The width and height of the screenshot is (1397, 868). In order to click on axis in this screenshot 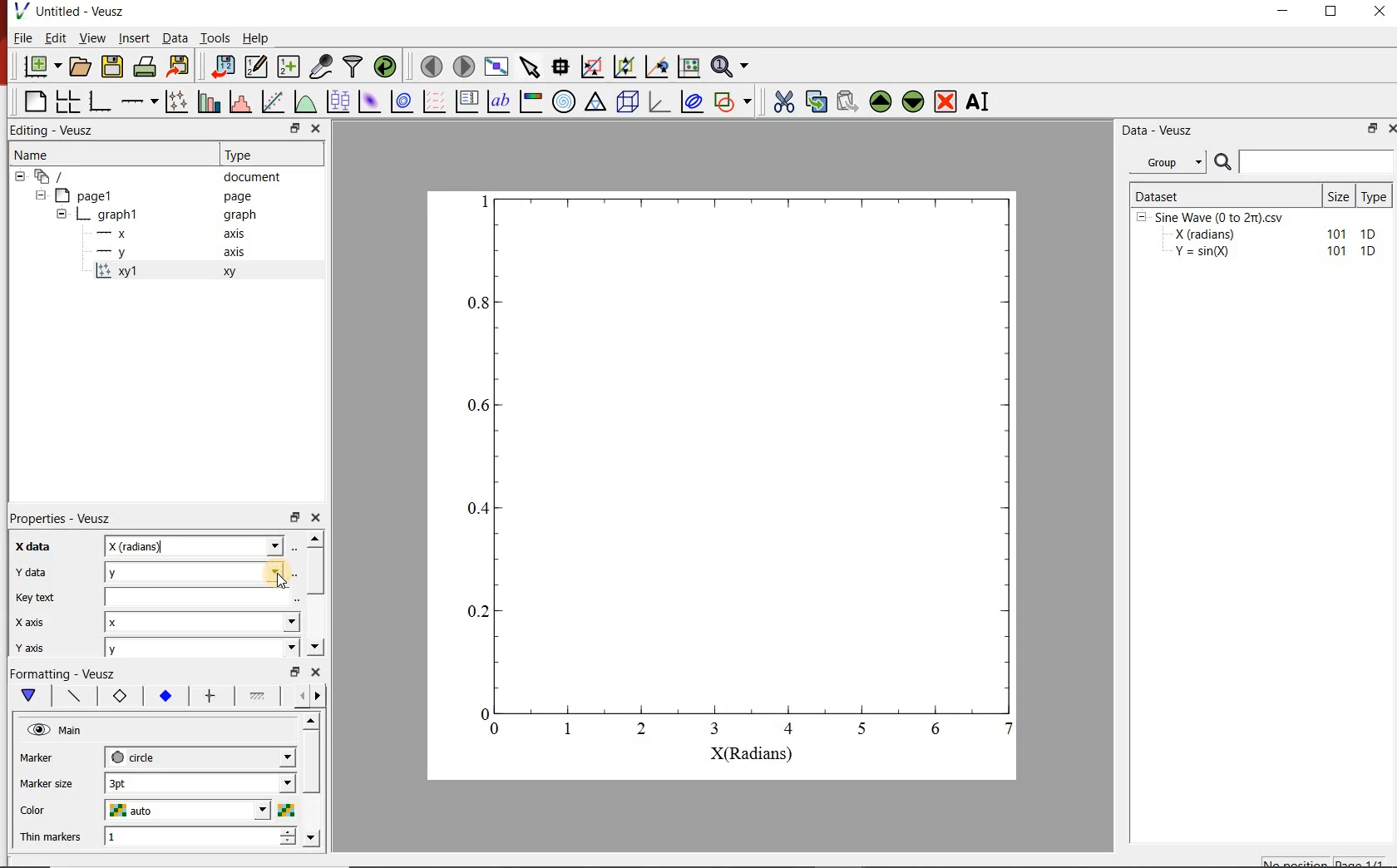, I will do `click(235, 233)`.